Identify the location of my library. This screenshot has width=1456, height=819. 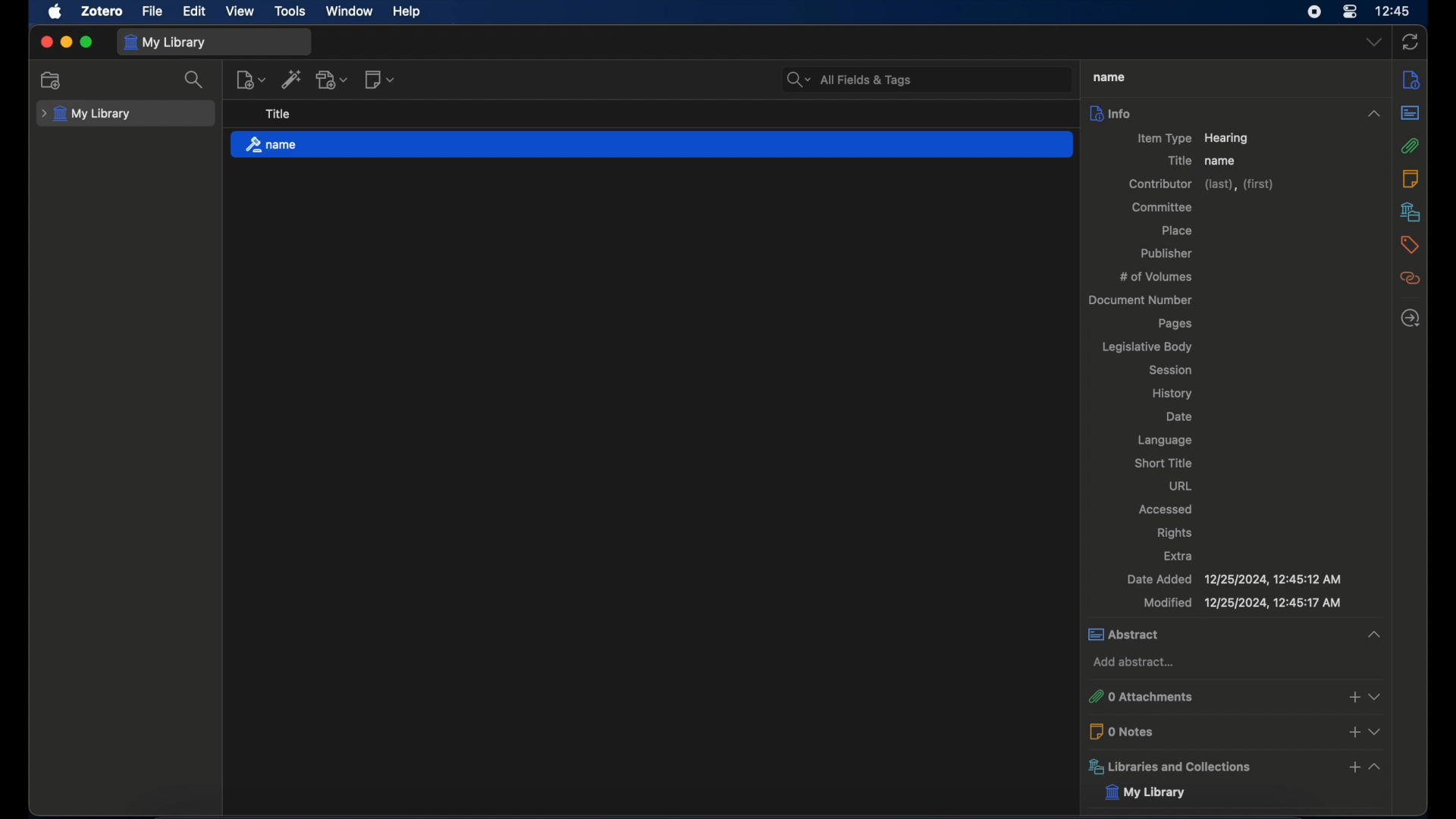
(1143, 792).